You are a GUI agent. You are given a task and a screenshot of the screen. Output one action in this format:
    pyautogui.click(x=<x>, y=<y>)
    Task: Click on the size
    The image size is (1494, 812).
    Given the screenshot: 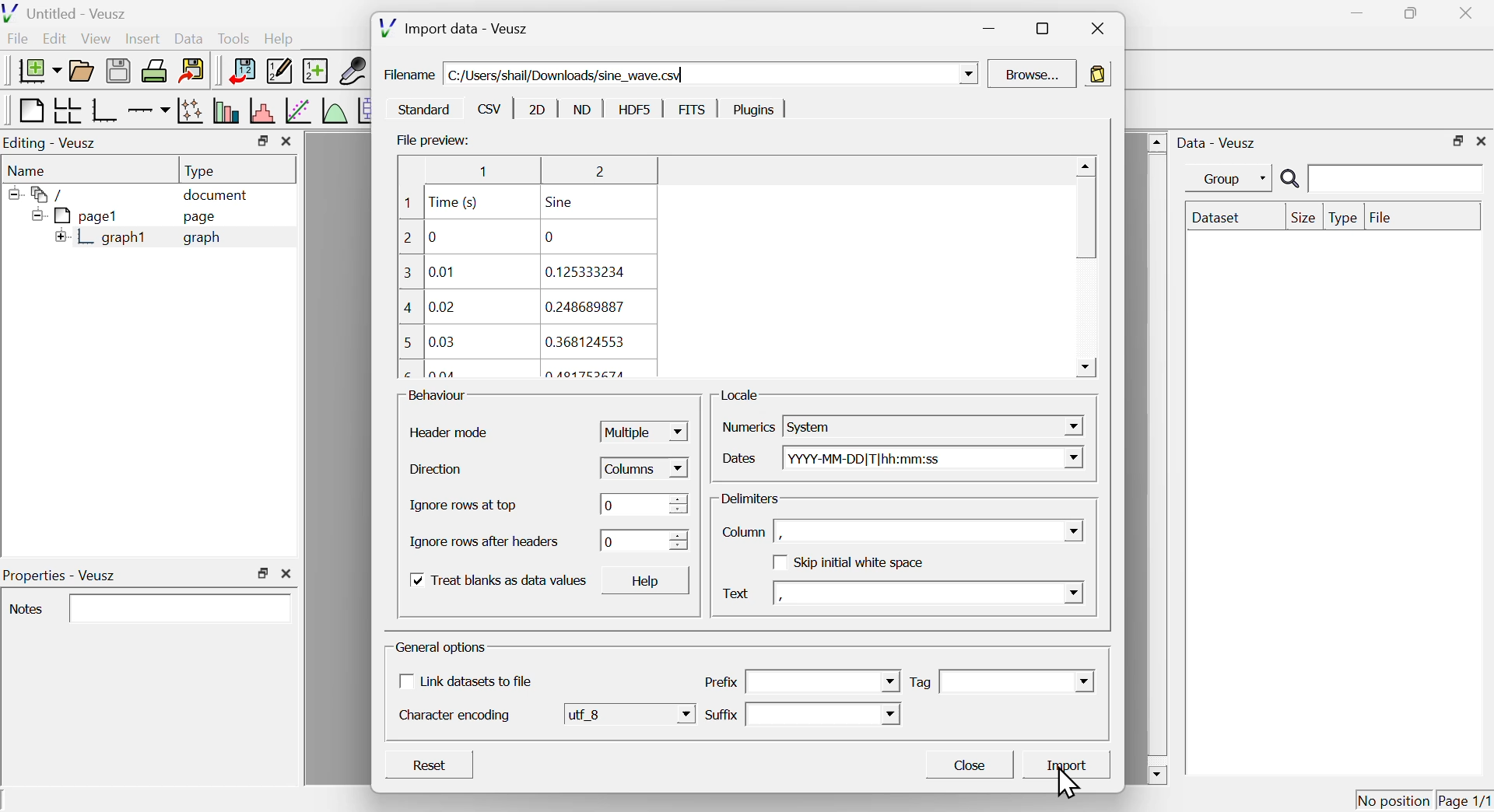 What is the action you would take?
    pyautogui.click(x=1301, y=217)
    